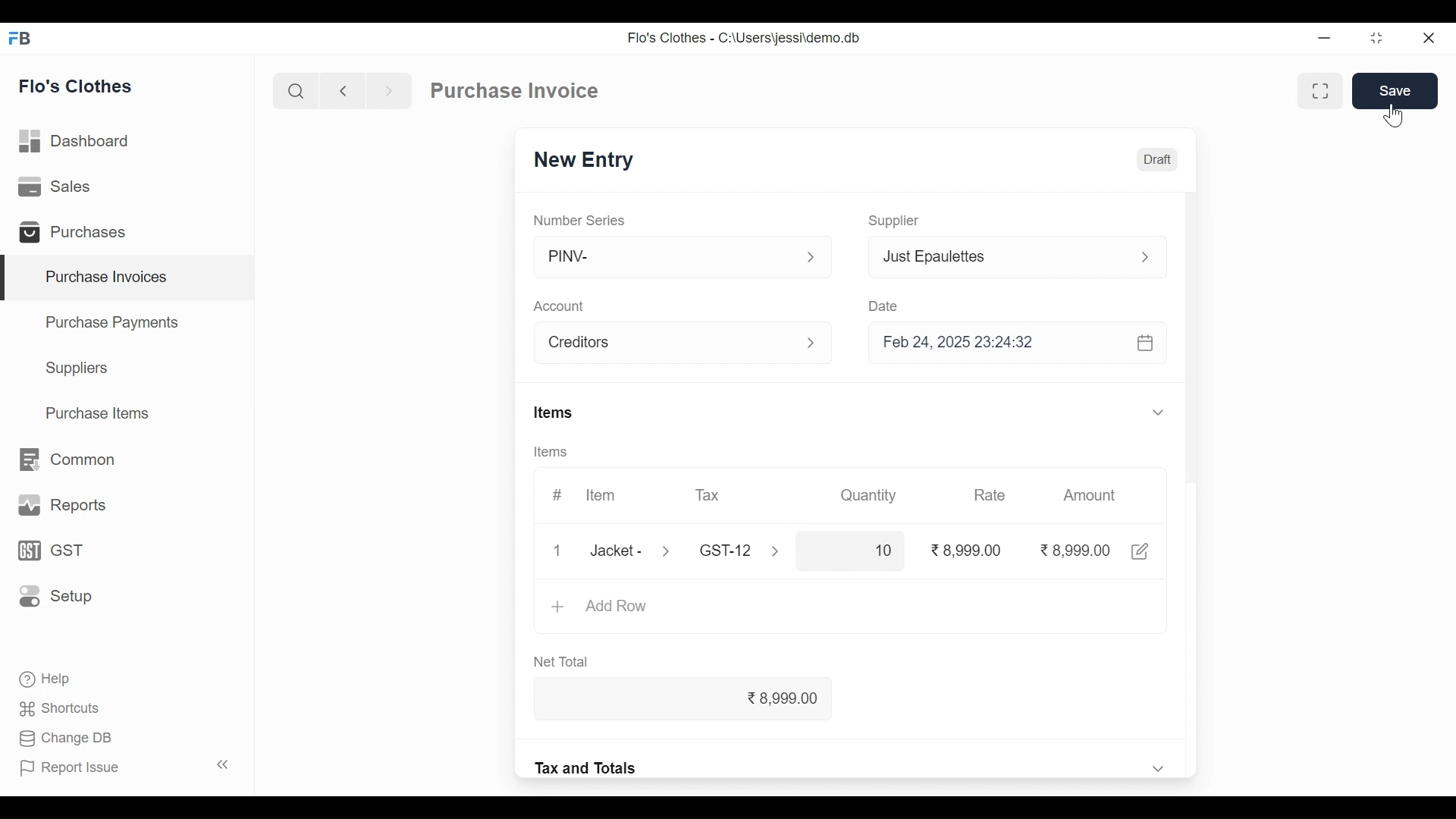 This screenshot has width=1456, height=819. I want to click on +, so click(557, 608).